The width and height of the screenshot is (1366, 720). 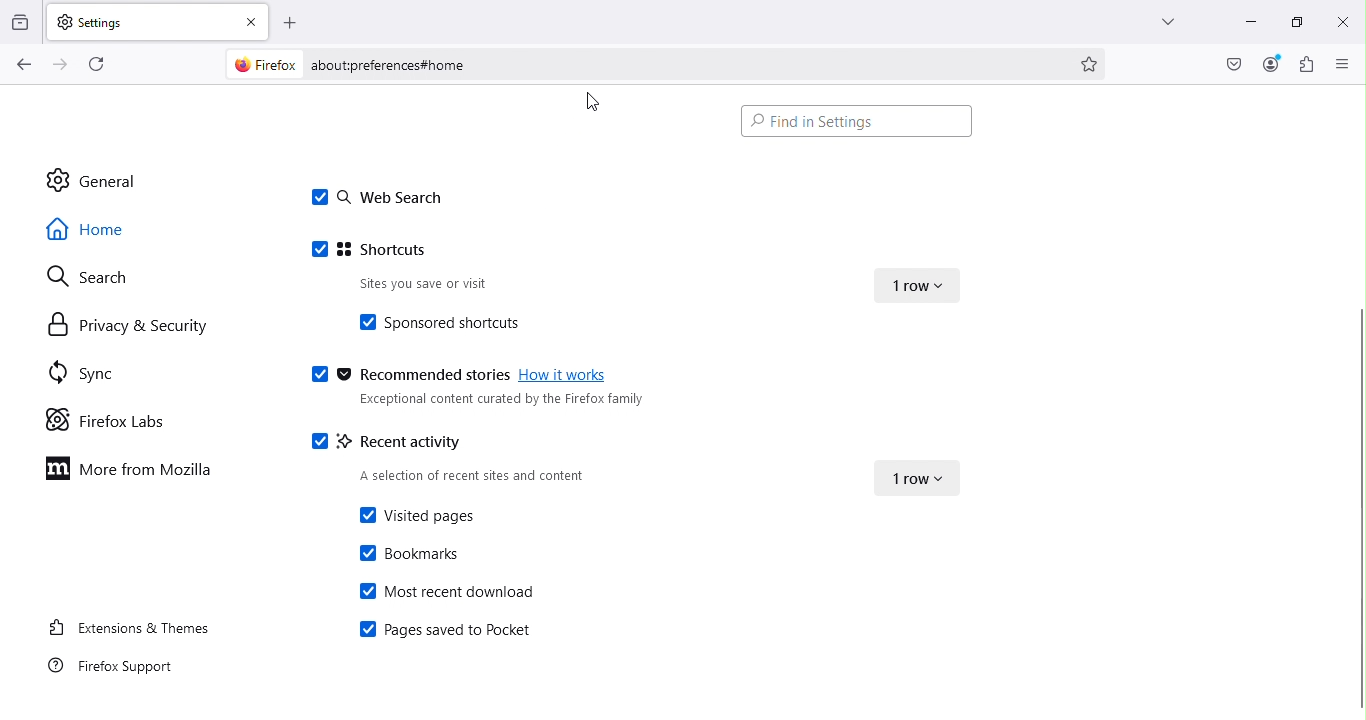 What do you see at coordinates (911, 474) in the screenshot?
I see `Drop down menu` at bounding box center [911, 474].